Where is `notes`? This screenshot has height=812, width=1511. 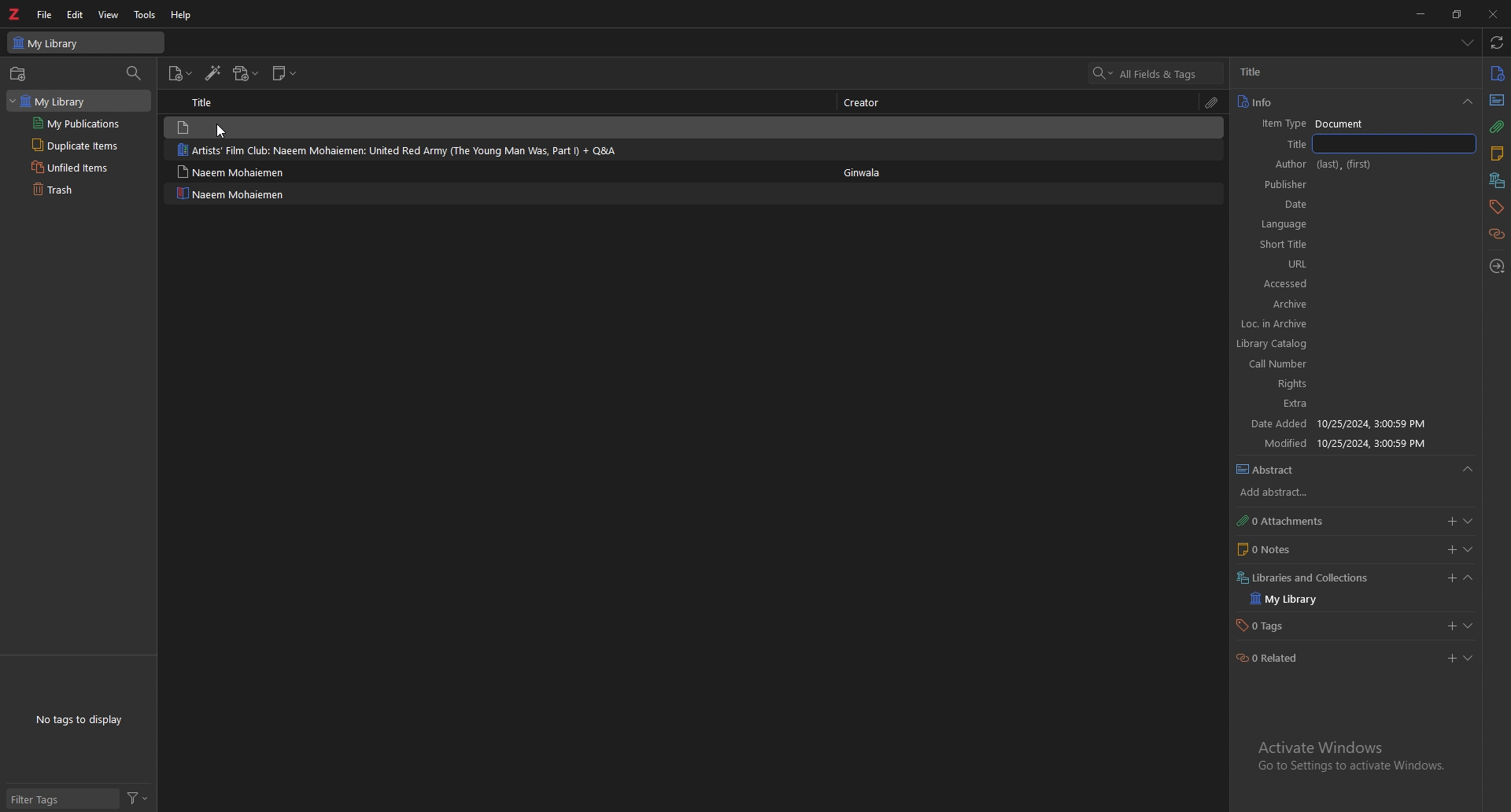 notes is located at coordinates (1497, 154).